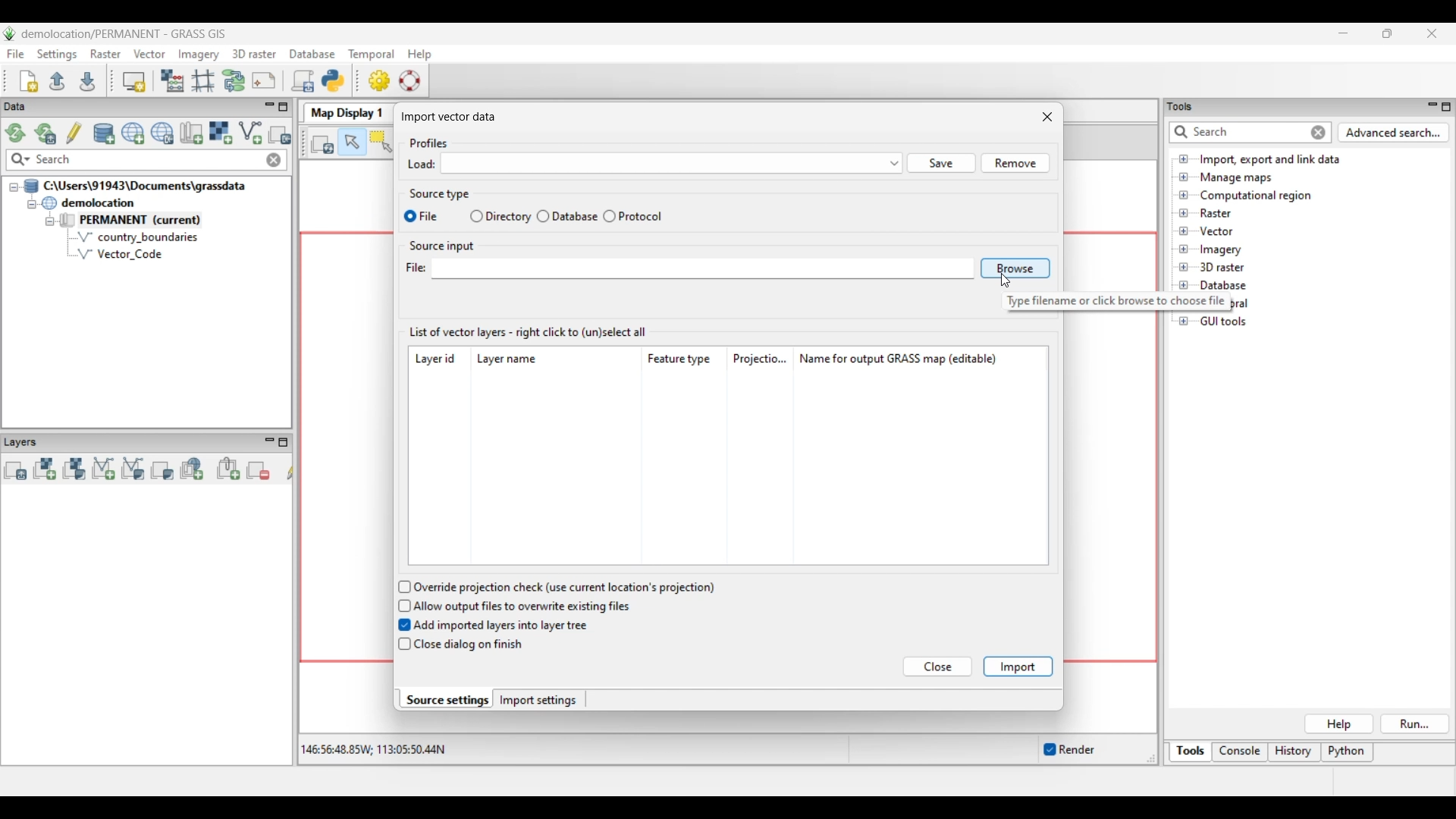 The width and height of the screenshot is (1456, 819). I want to click on Close, so click(939, 667).